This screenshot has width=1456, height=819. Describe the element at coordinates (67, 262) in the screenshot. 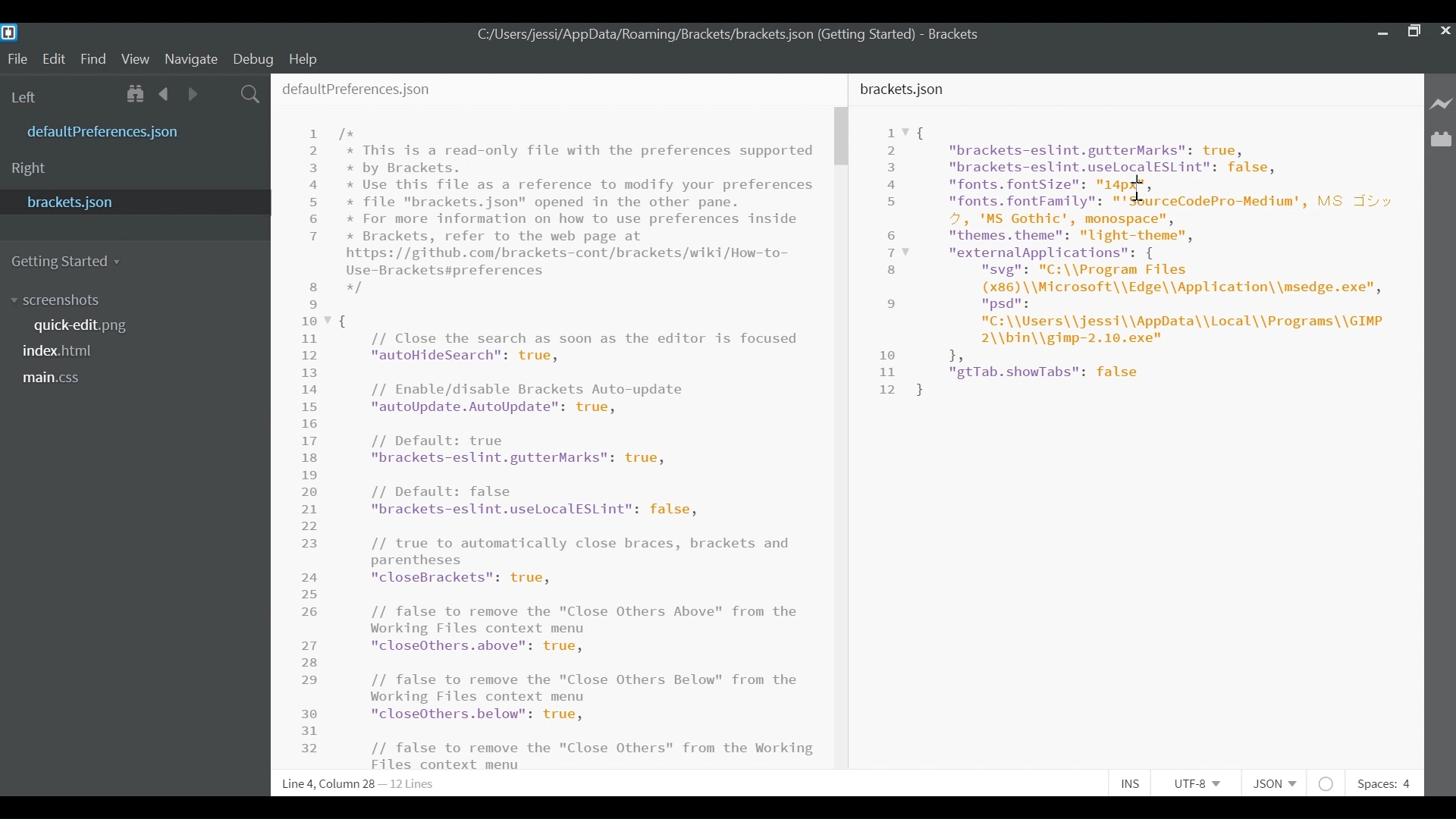

I see `Getting Started` at that location.